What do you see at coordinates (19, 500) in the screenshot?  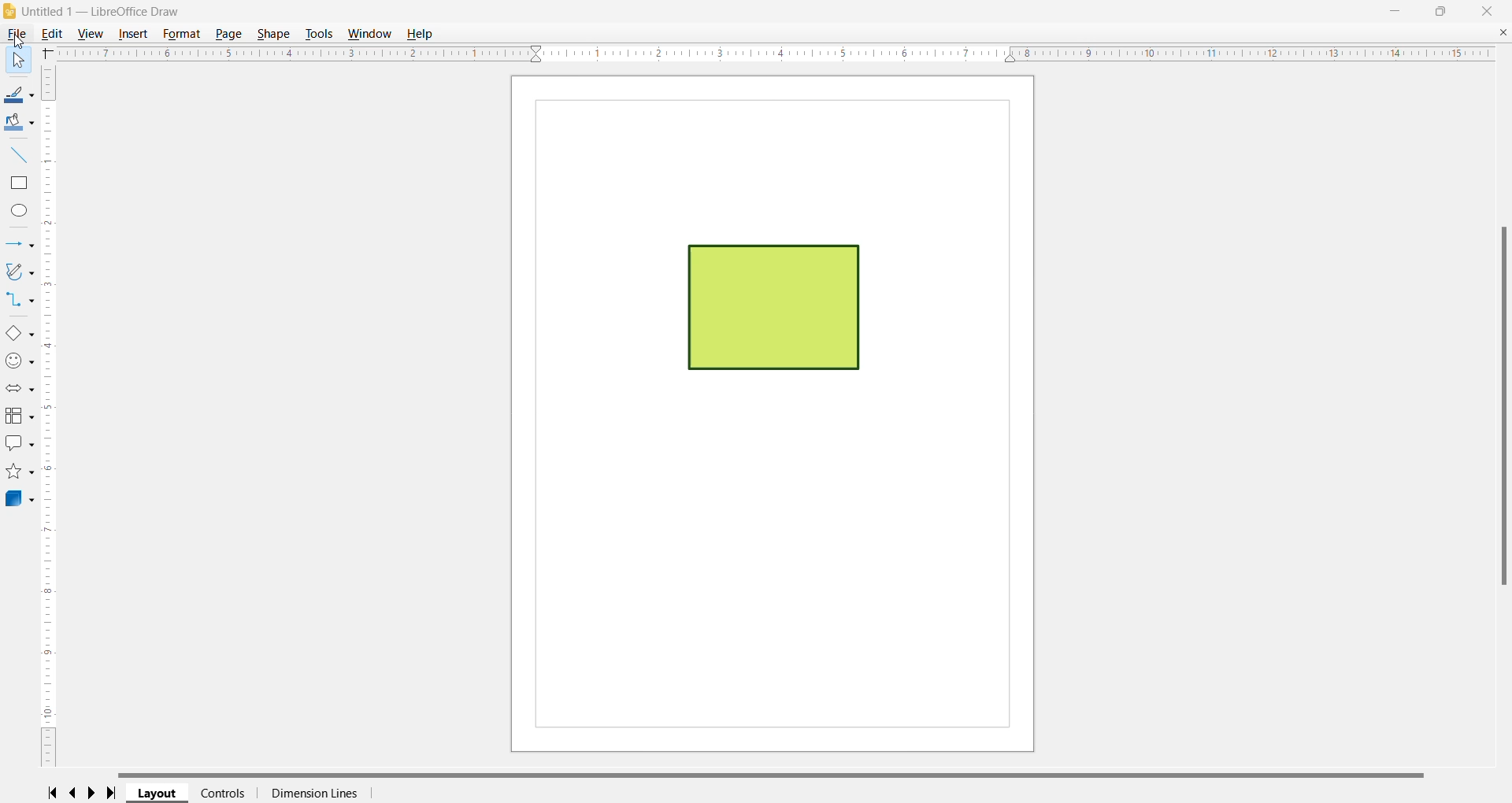 I see `3D Objects` at bounding box center [19, 500].